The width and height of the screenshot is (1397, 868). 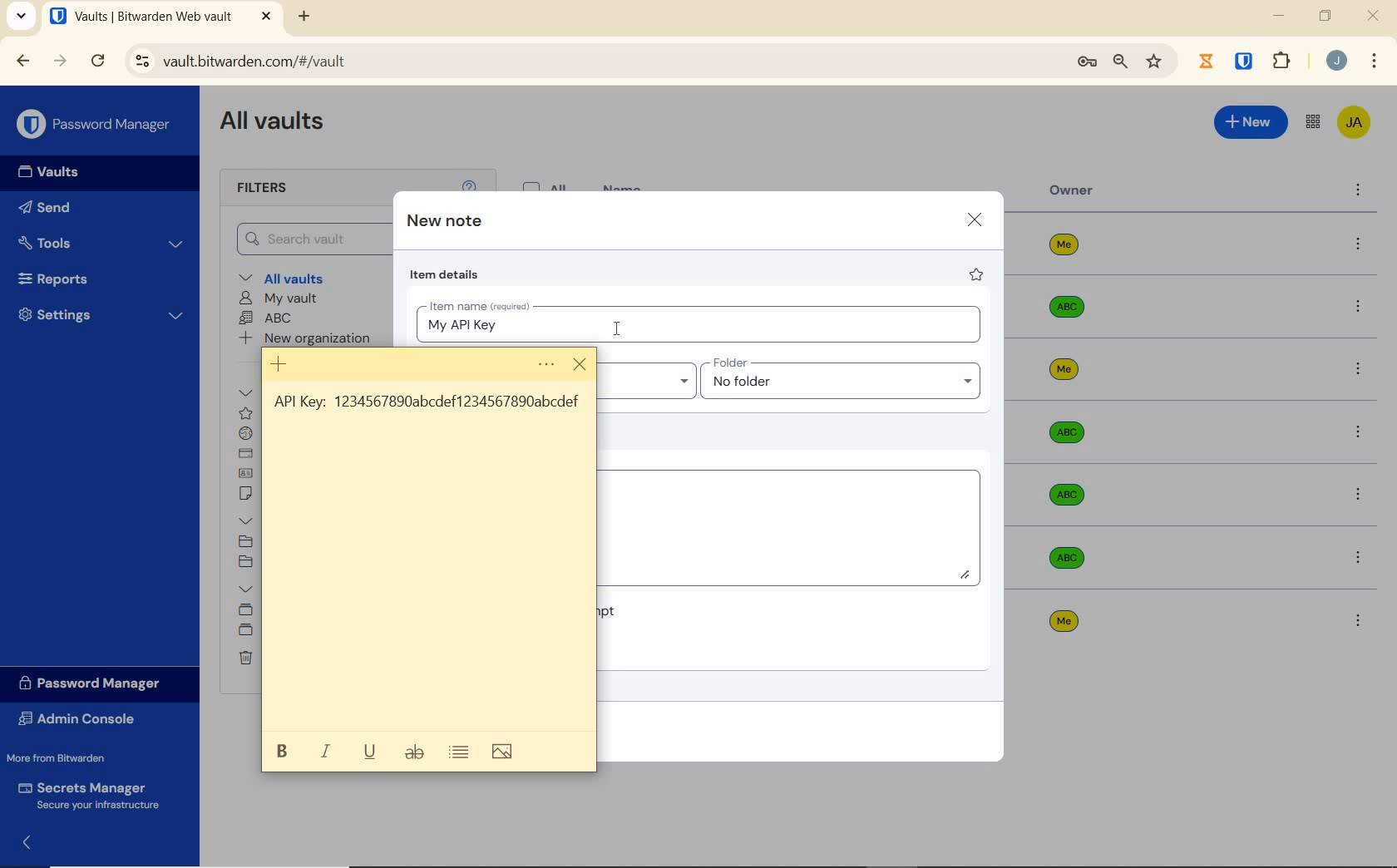 What do you see at coordinates (1311, 122) in the screenshot?
I see `toggle between admin console and password manager` at bounding box center [1311, 122].